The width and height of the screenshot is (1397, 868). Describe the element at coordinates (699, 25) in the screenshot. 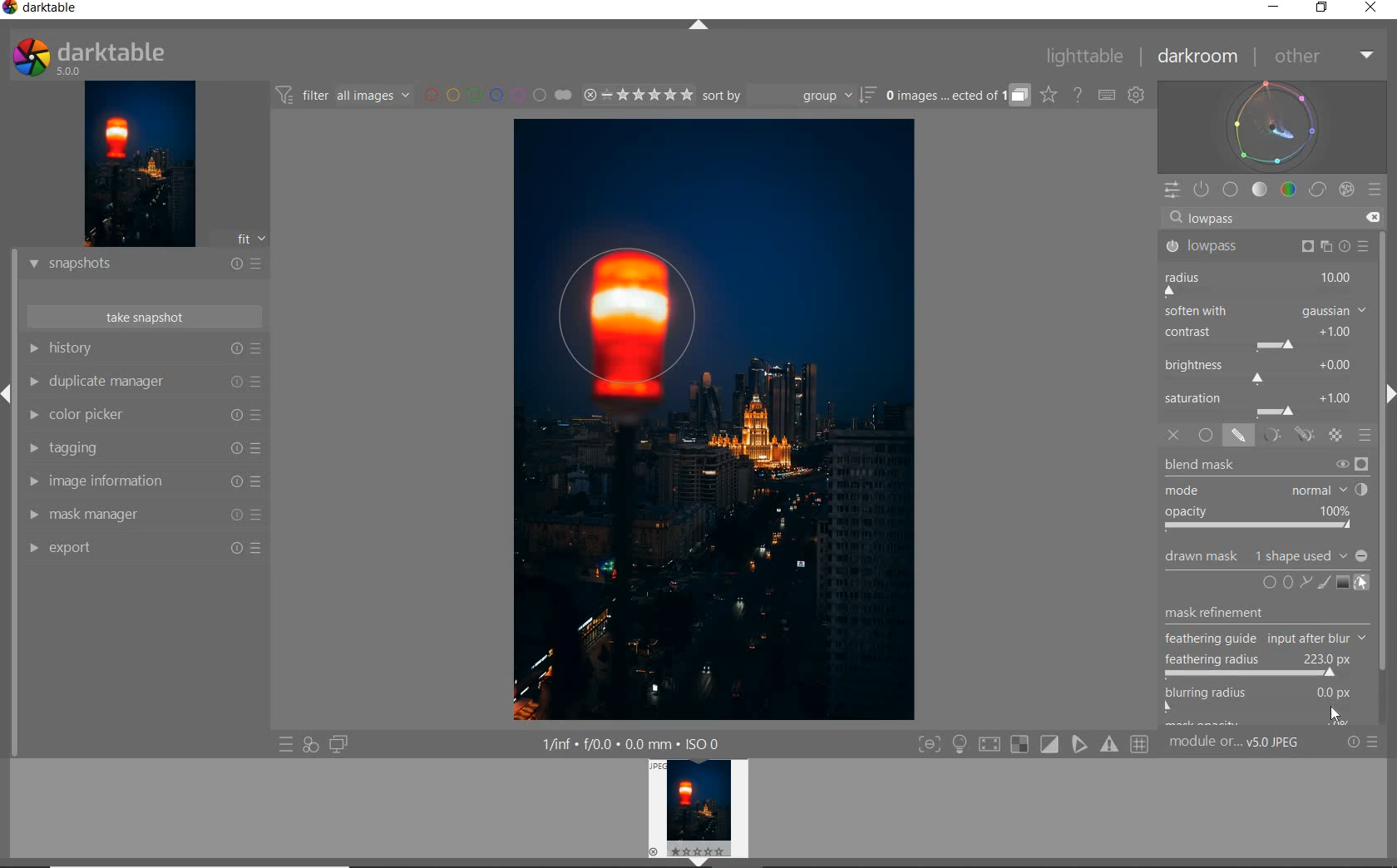

I see `EXPAND/COLLAPSE` at that location.